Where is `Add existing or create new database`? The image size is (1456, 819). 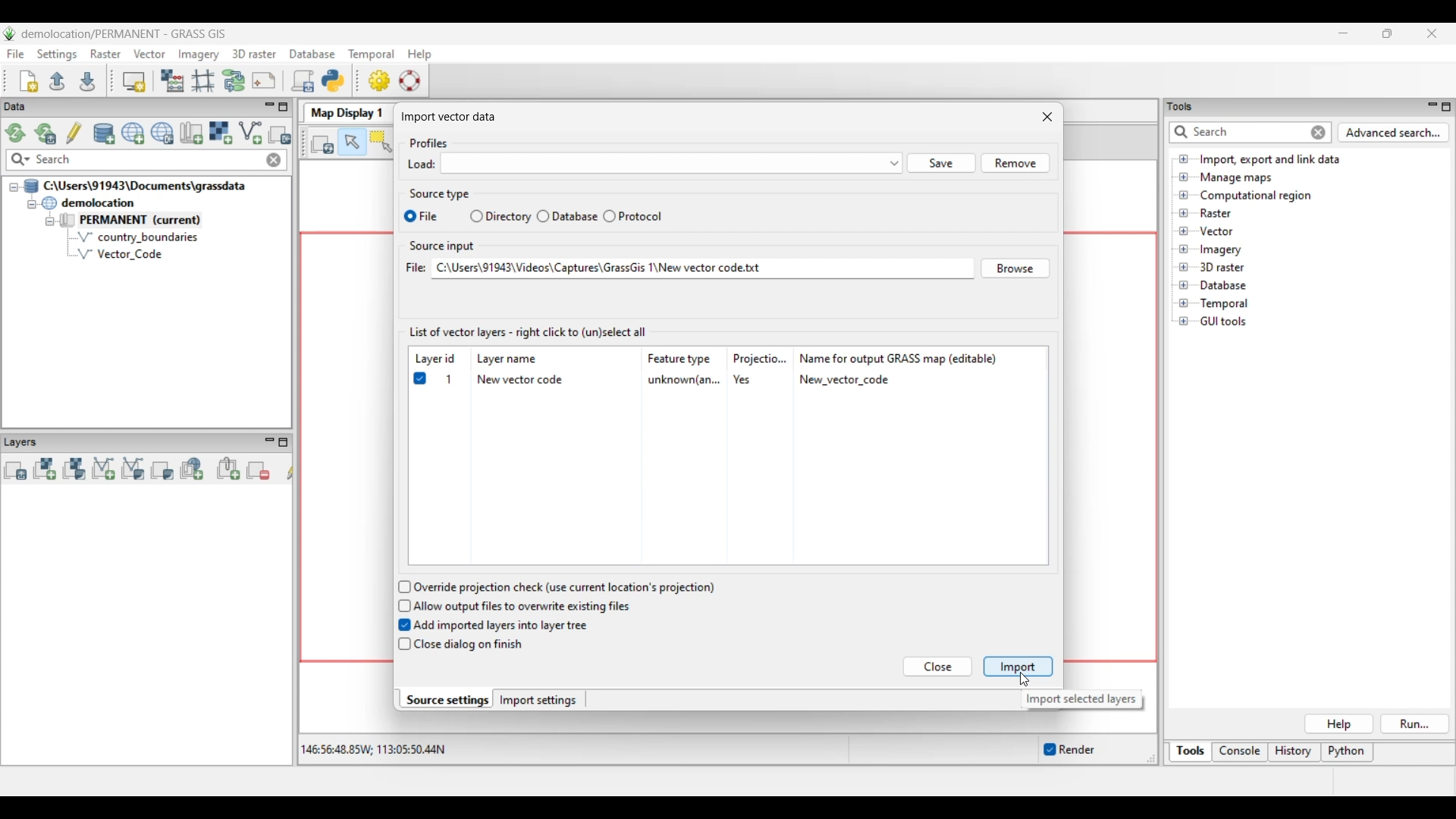
Add existing or create new database is located at coordinates (105, 134).